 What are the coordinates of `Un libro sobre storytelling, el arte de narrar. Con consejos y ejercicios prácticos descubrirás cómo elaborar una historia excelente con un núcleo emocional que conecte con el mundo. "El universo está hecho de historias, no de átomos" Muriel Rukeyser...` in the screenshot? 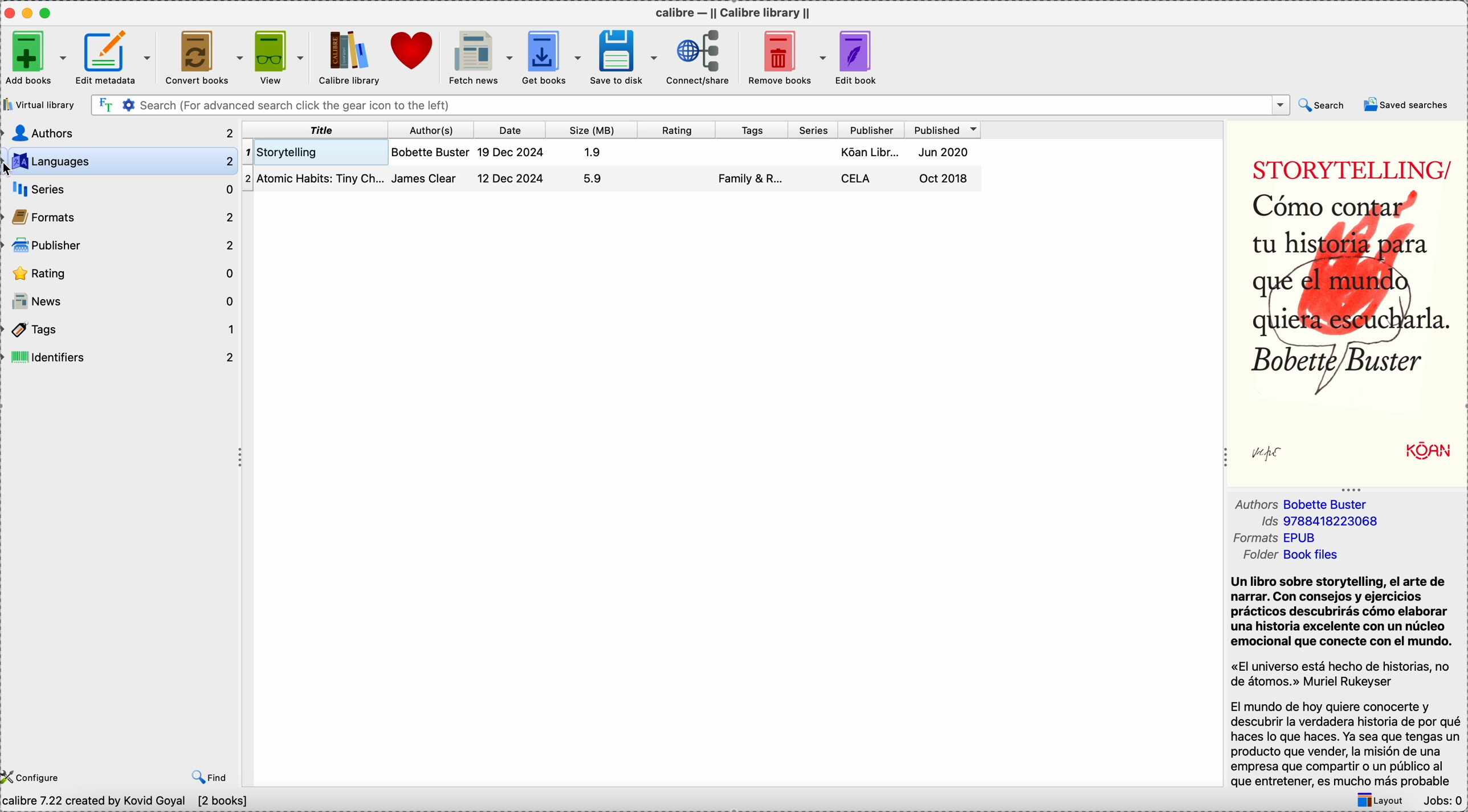 It's located at (1347, 681).